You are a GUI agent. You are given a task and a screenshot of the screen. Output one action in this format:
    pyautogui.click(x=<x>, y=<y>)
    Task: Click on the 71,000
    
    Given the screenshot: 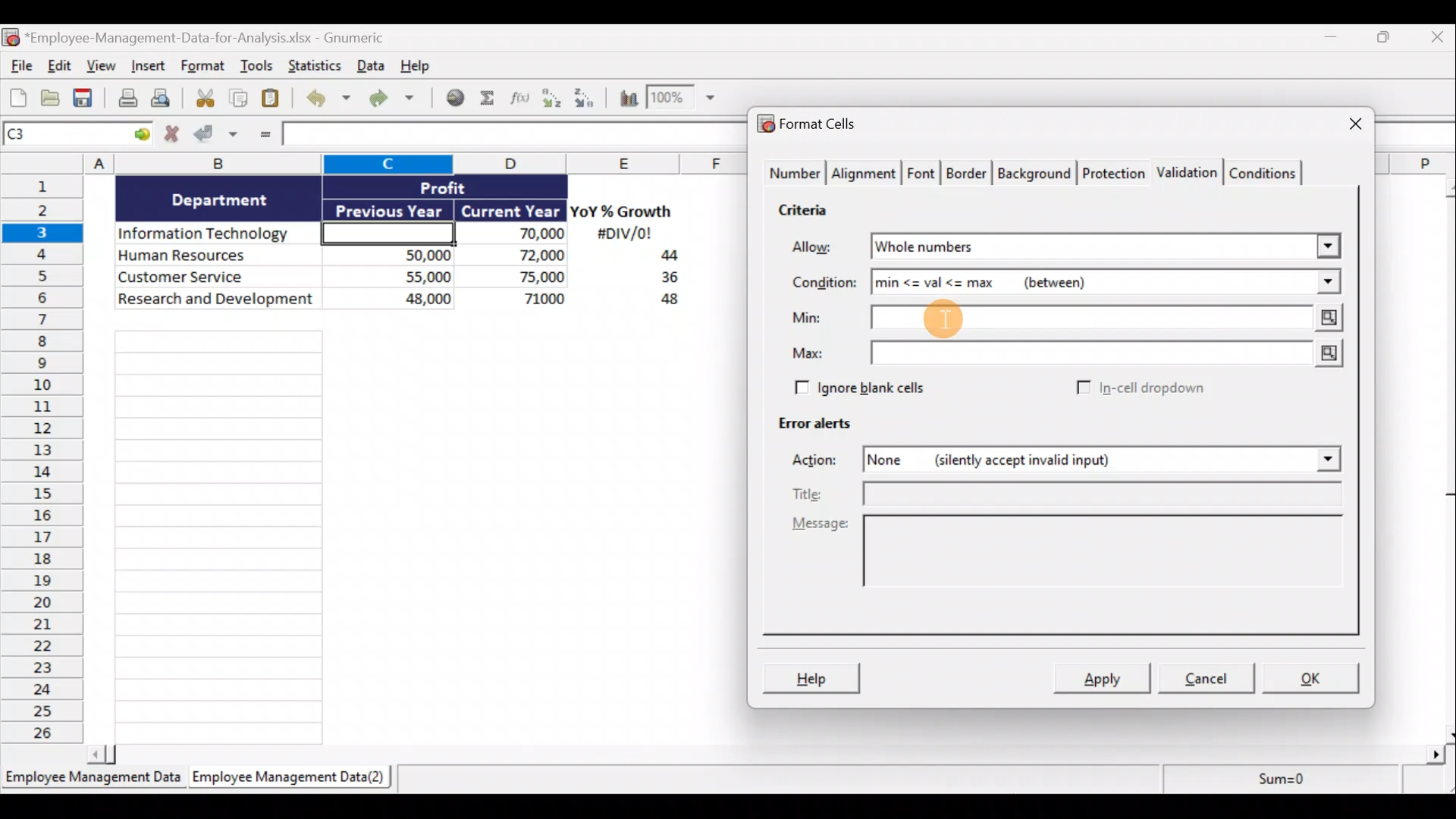 What is the action you would take?
    pyautogui.click(x=522, y=300)
    